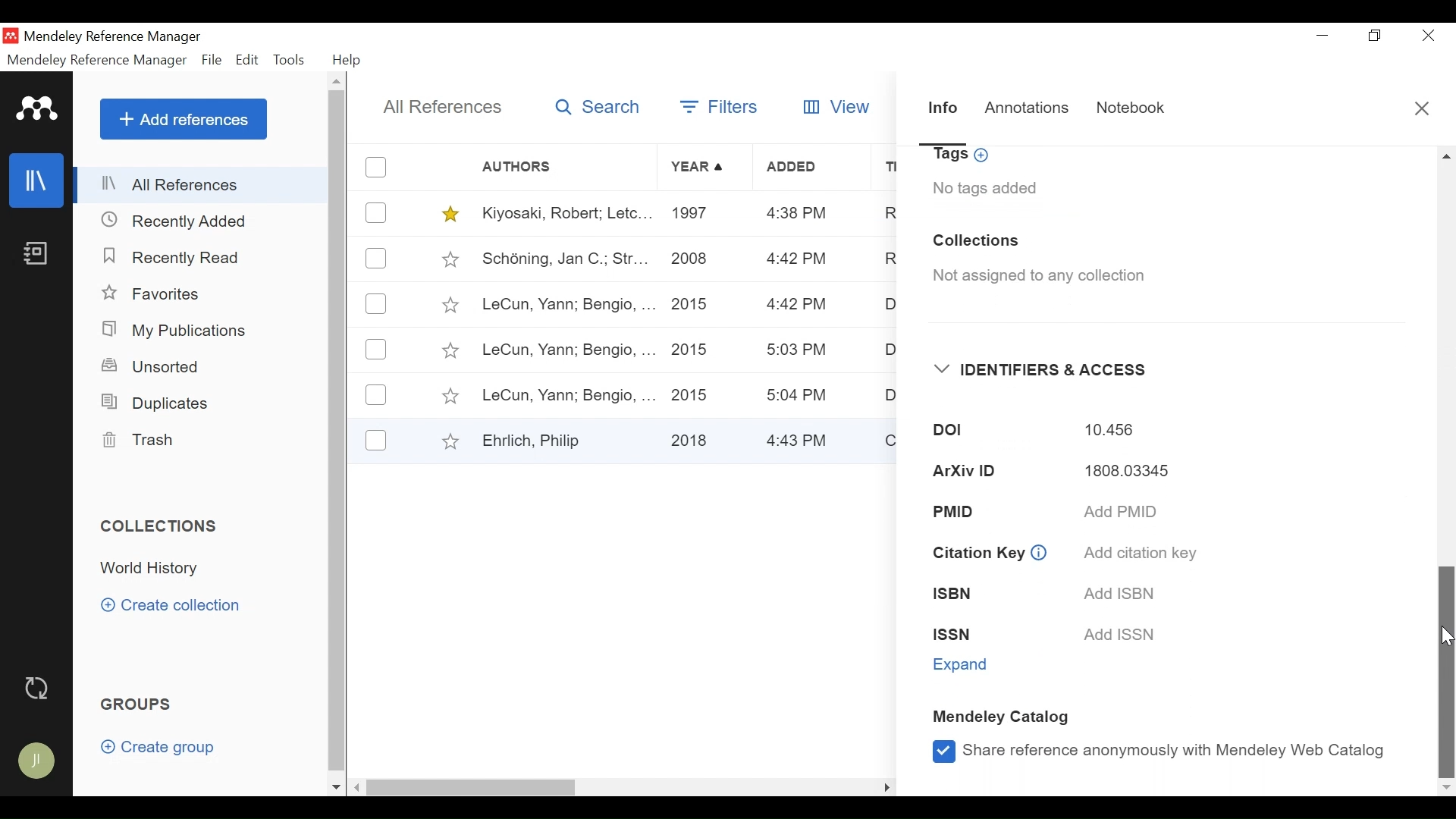 The image size is (1456, 819). I want to click on Library, so click(34, 180).